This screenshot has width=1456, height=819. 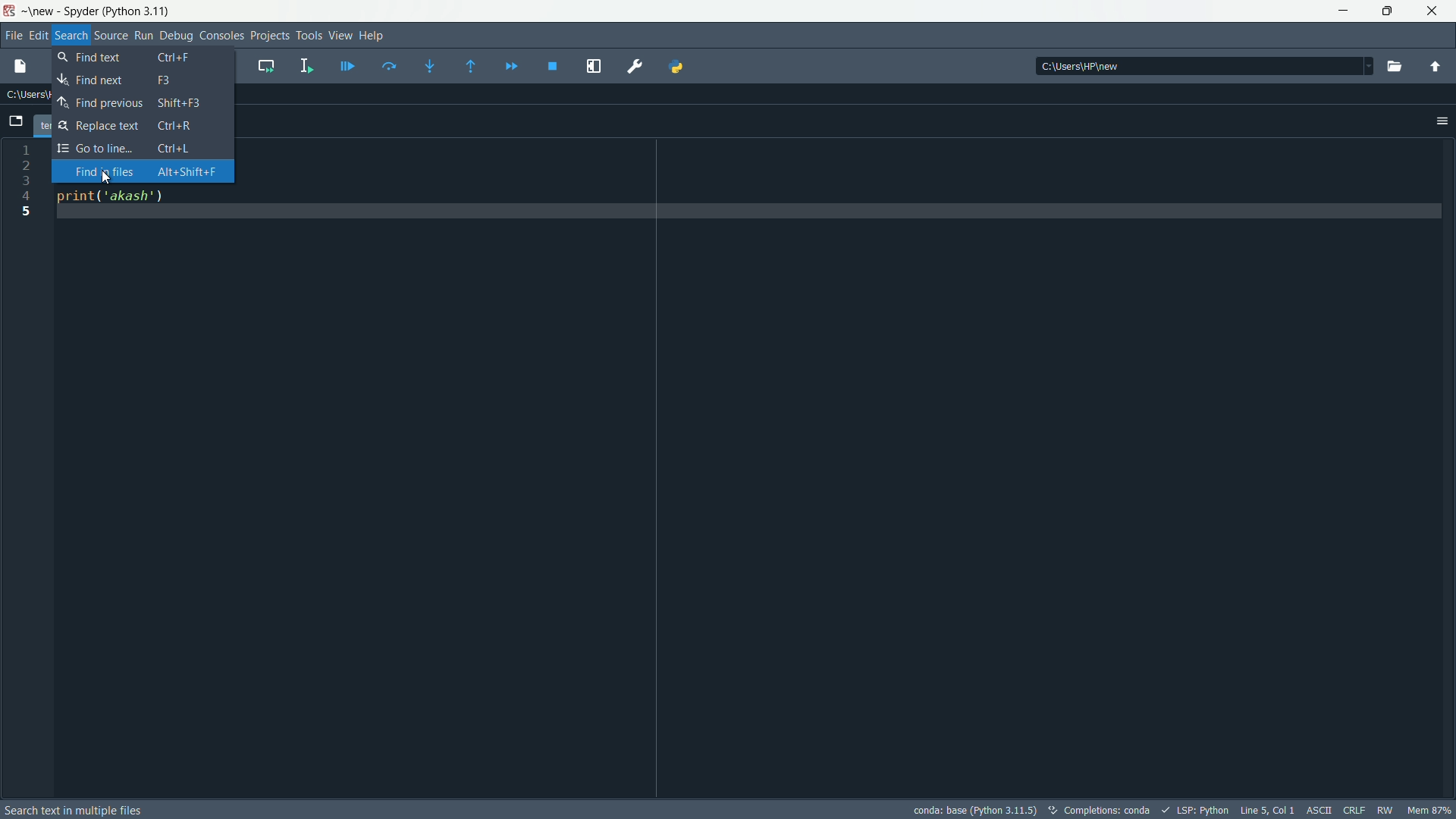 What do you see at coordinates (14, 120) in the screenshot?
I see `browse tabs` at bounding box center [14, 120].